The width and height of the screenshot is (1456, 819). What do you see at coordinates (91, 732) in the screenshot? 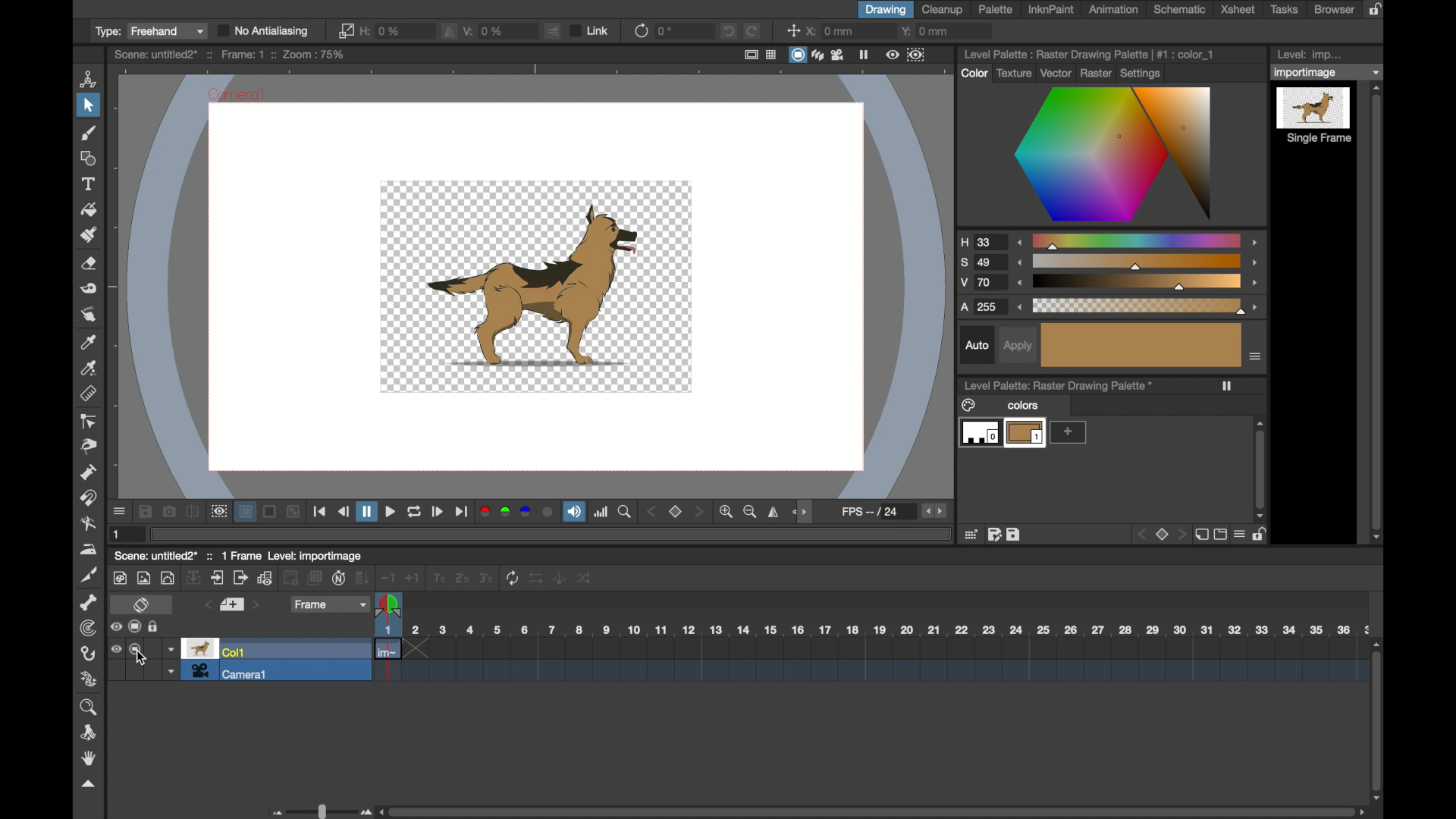
I see `rotate tool` at bounding box center [91, 732].